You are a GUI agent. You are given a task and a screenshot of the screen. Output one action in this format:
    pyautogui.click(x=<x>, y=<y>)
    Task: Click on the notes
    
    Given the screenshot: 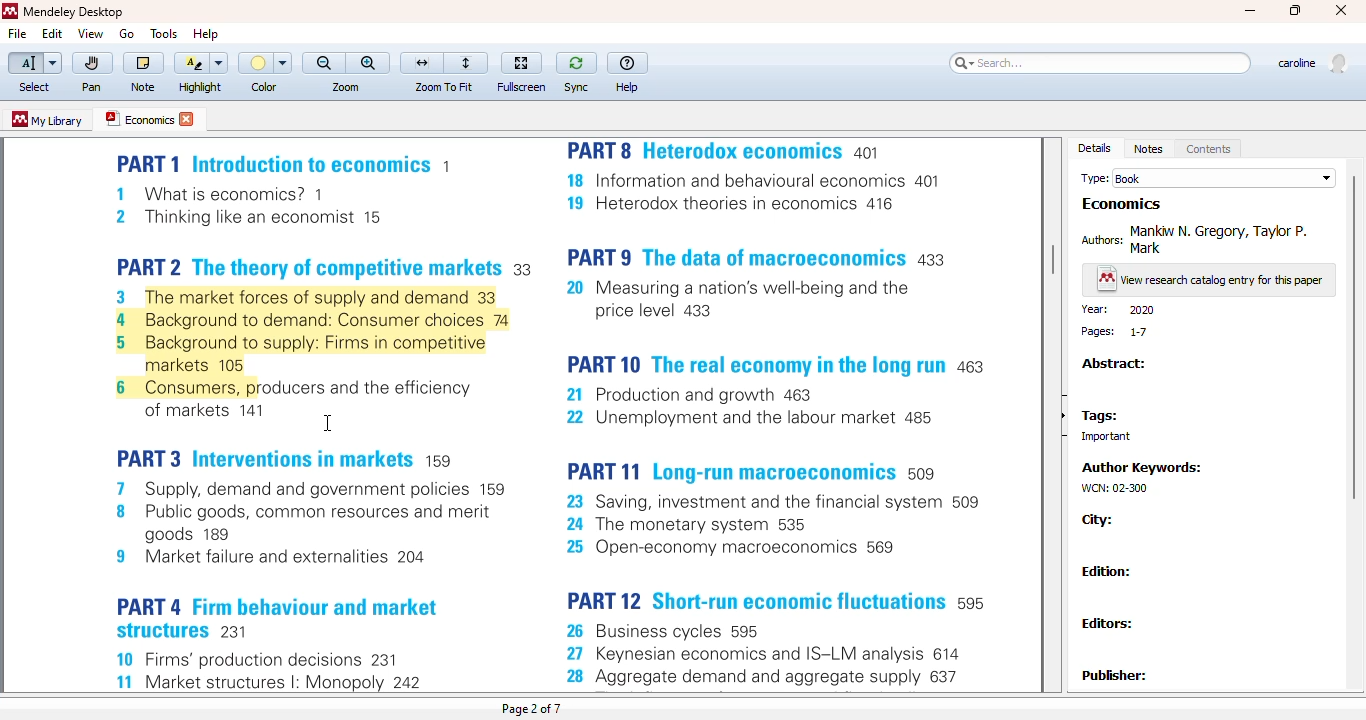 What is the action you would take?
    pyautogui.click(x=1148, y=149)
    